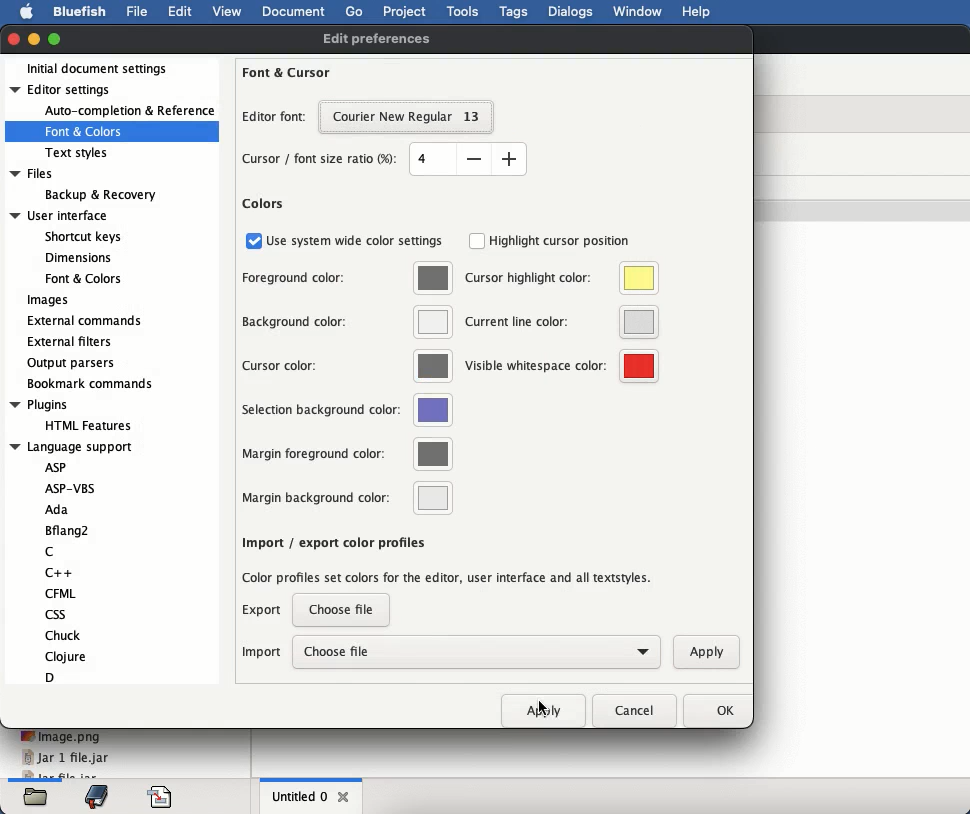 Image resolution: width=970 pixels, height=814 pixels. I want to click on import, so click(262, 652).